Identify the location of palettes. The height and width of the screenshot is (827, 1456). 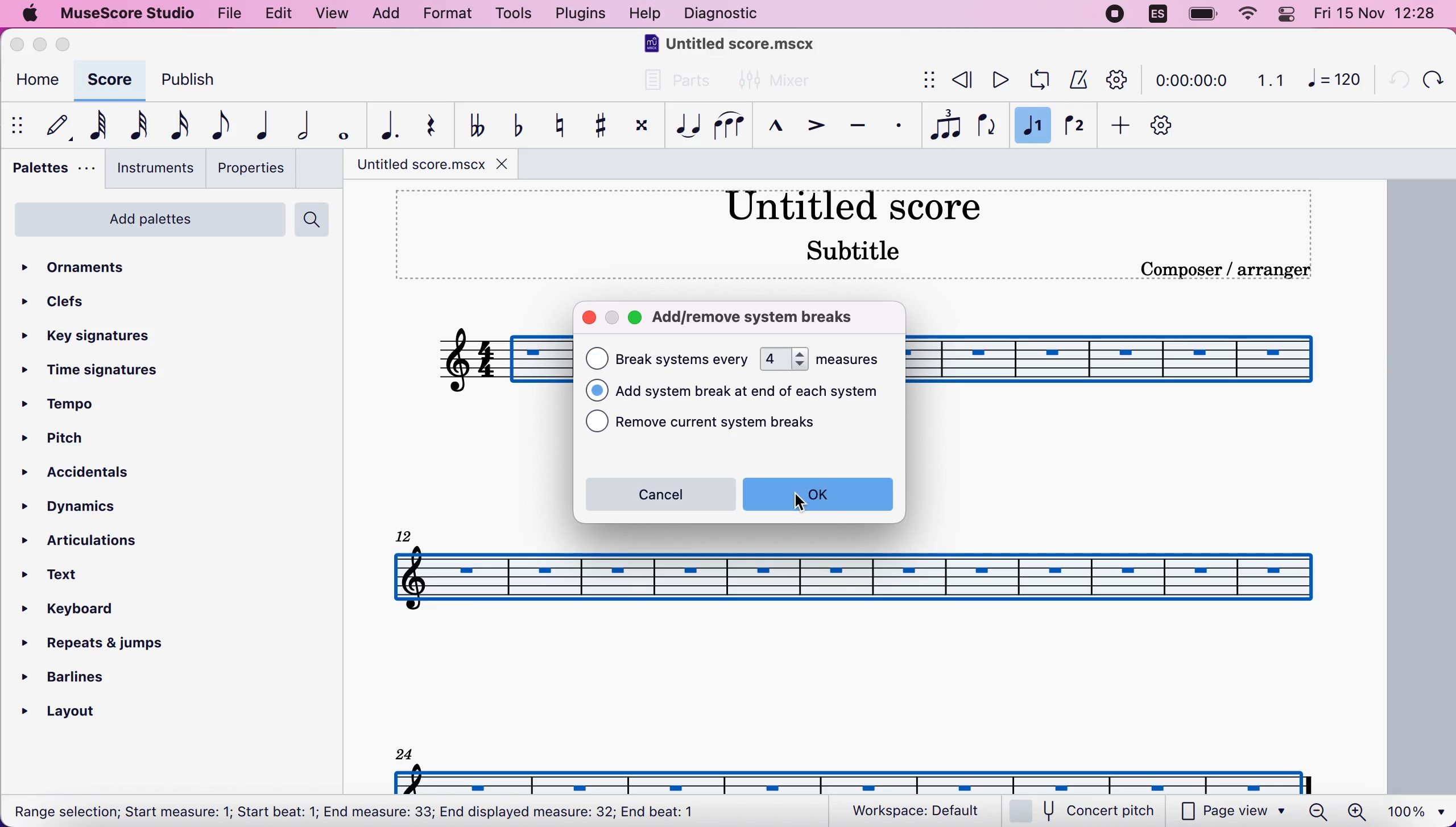
(50, 171).